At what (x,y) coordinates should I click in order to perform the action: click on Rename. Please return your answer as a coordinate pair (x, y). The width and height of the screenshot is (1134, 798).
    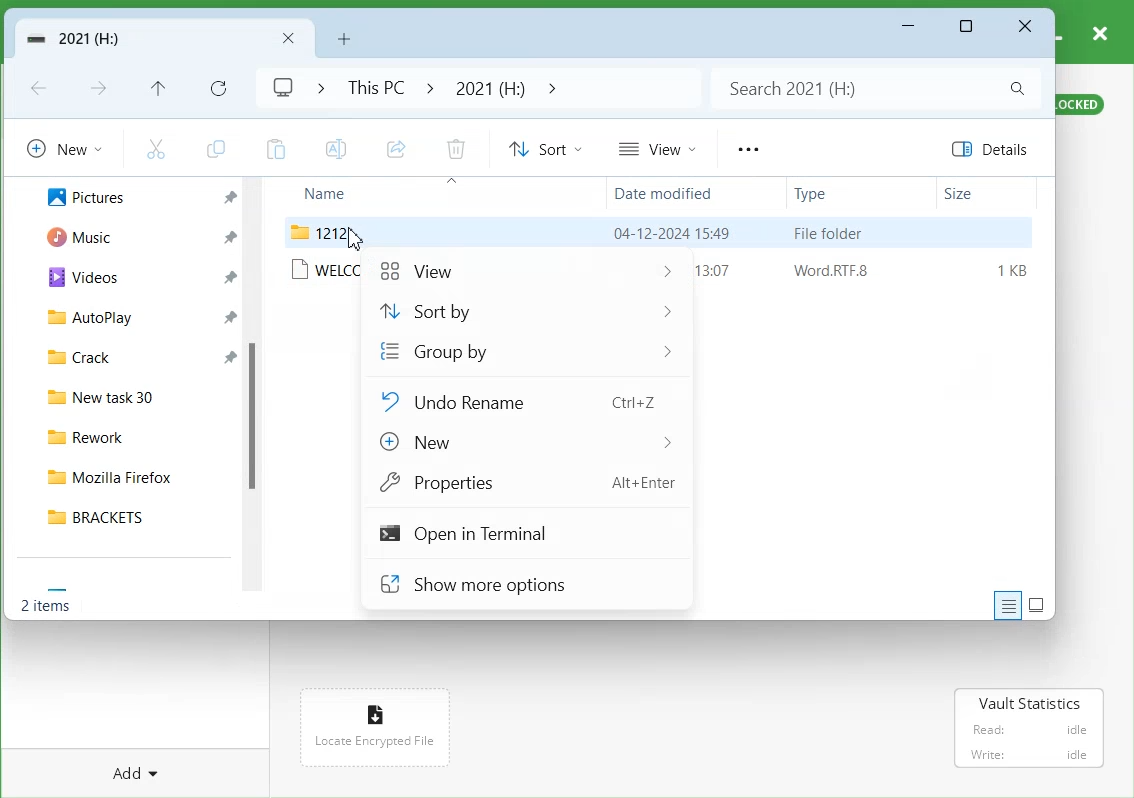
    Looking at the image, I should click on (334, 148).